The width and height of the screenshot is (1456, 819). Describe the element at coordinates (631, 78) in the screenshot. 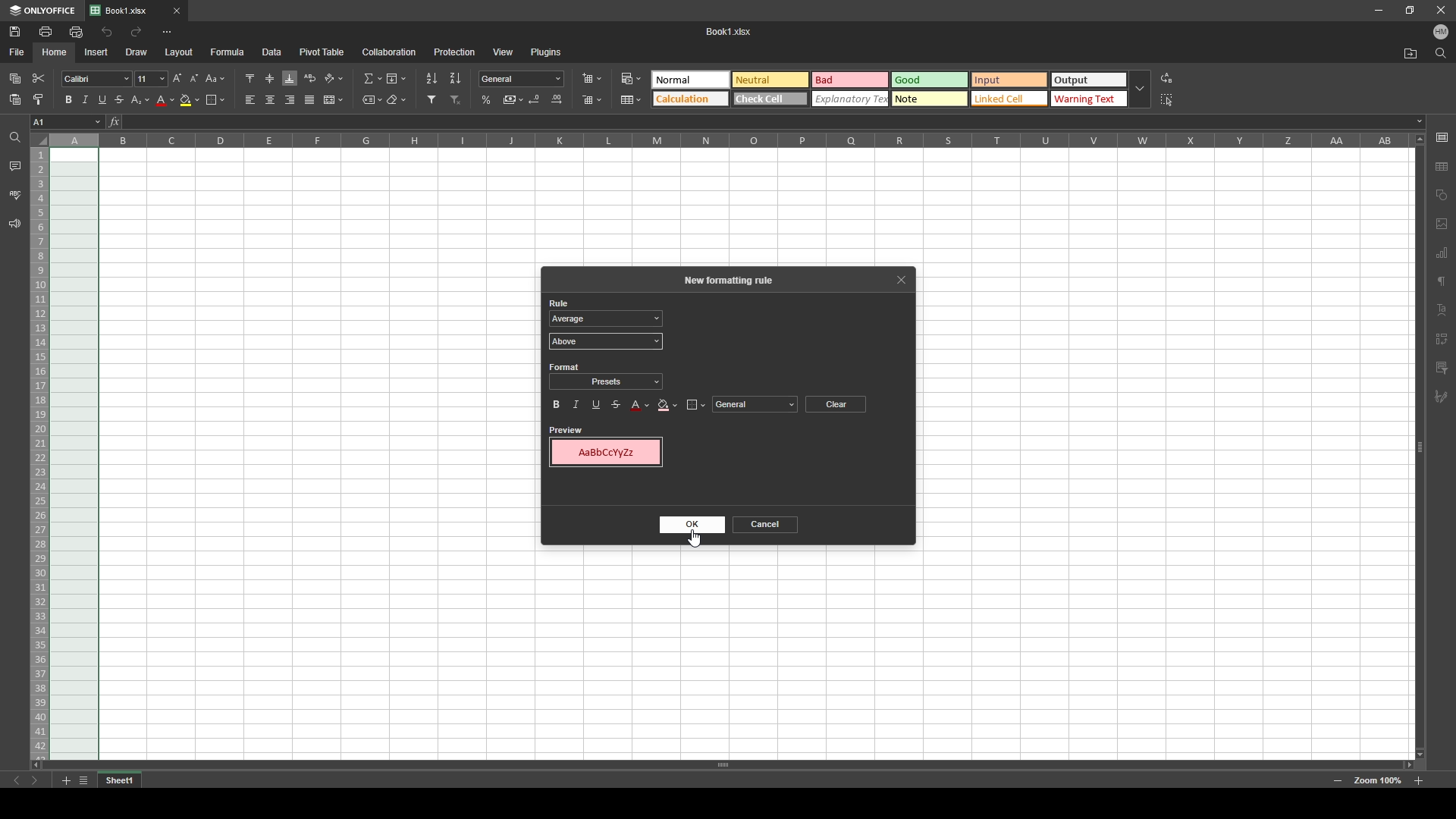

I see `conditional formatting` at that location.